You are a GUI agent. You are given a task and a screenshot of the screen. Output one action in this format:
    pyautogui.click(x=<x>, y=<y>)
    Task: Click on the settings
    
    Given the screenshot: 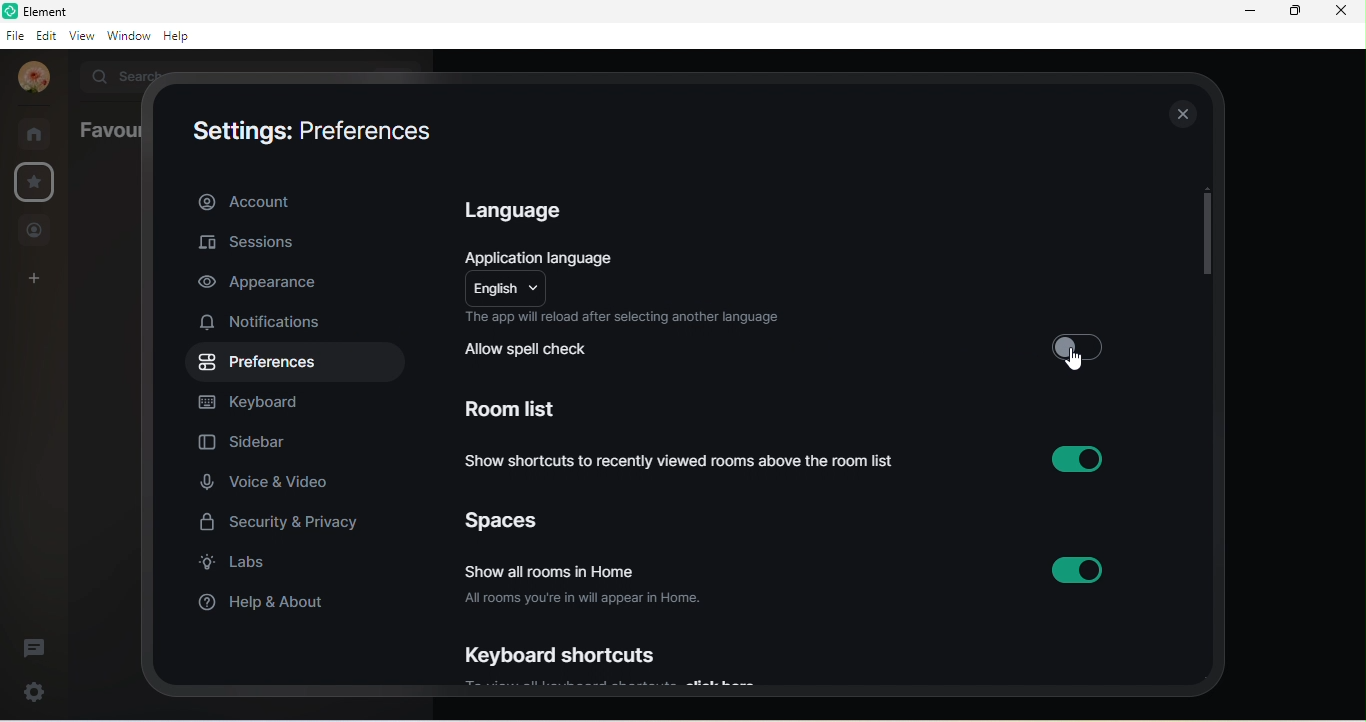 What is the action you would take?
    pyautogui.click(x=33, y=690)
    